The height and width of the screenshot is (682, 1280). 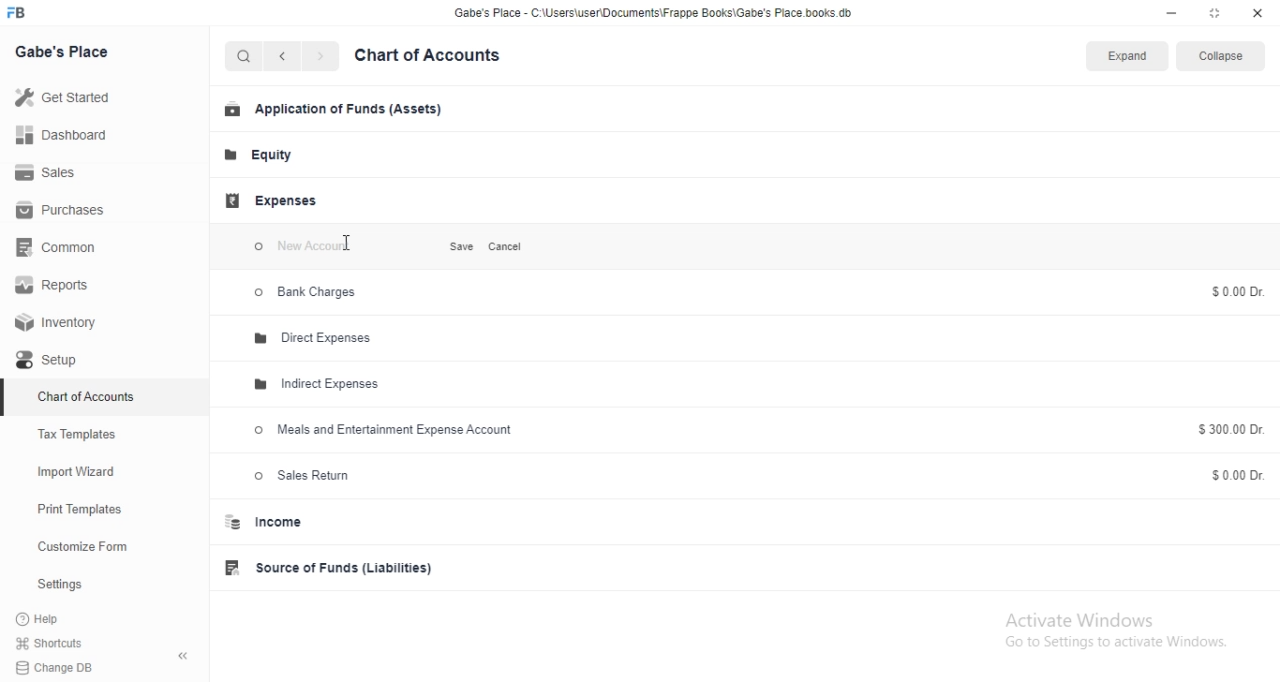 I want to click on Income, so click(x=279, y=524).